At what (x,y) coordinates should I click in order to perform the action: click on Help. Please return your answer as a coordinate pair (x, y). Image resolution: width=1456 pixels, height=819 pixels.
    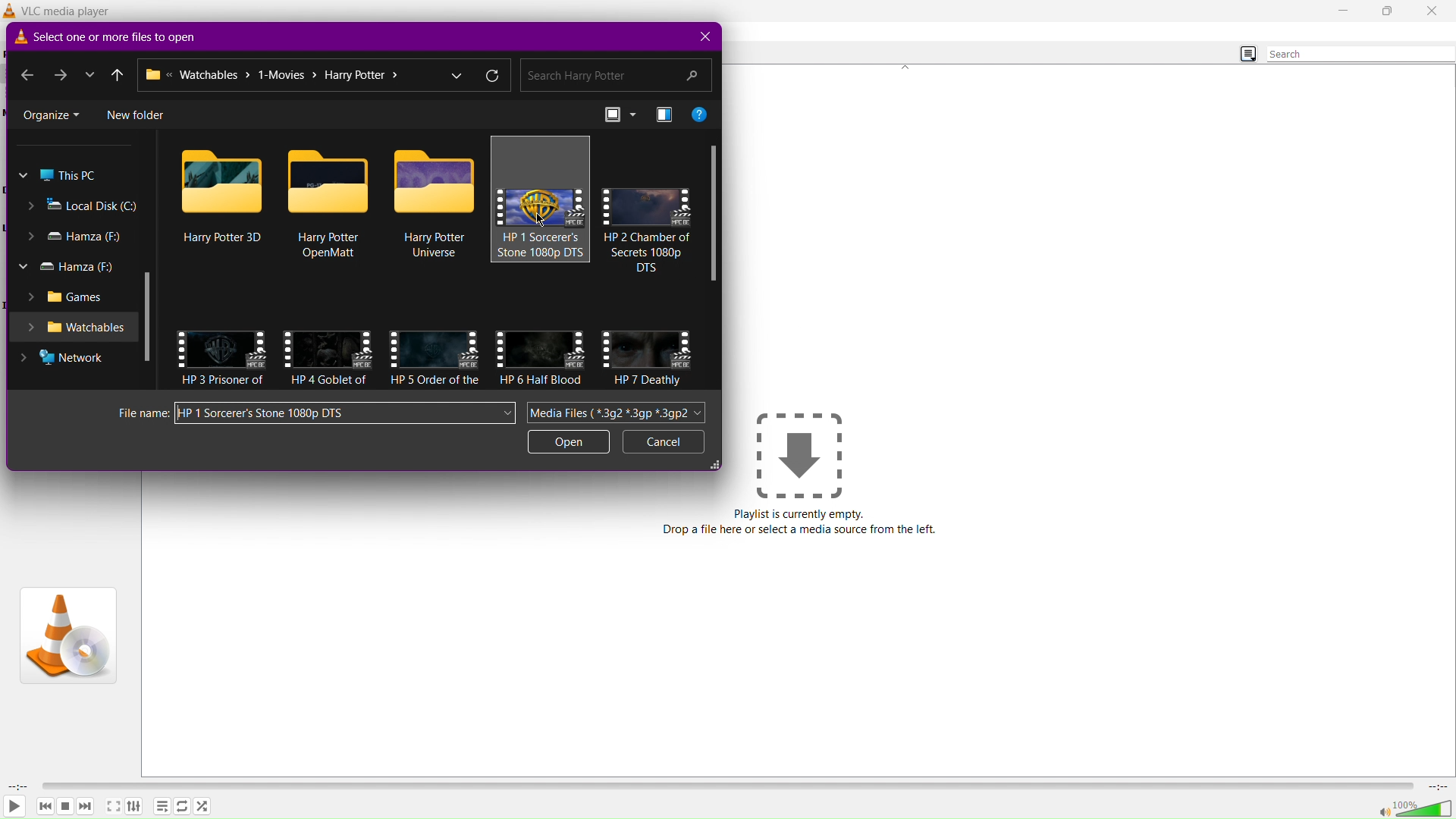
    Looking at the image, I should click on (701, 115).